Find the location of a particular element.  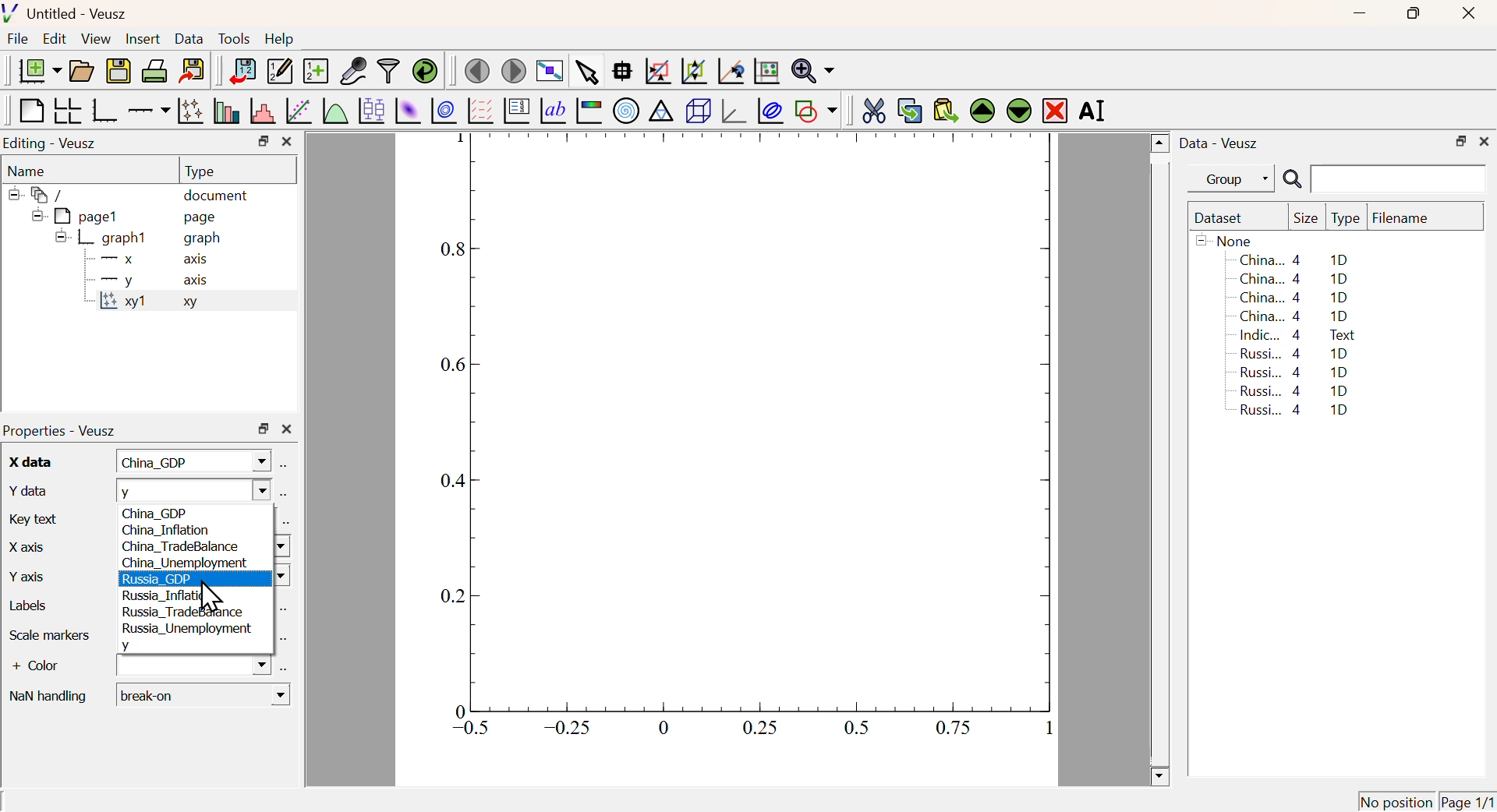

China_Inflation is located at coordinates (169, 531).